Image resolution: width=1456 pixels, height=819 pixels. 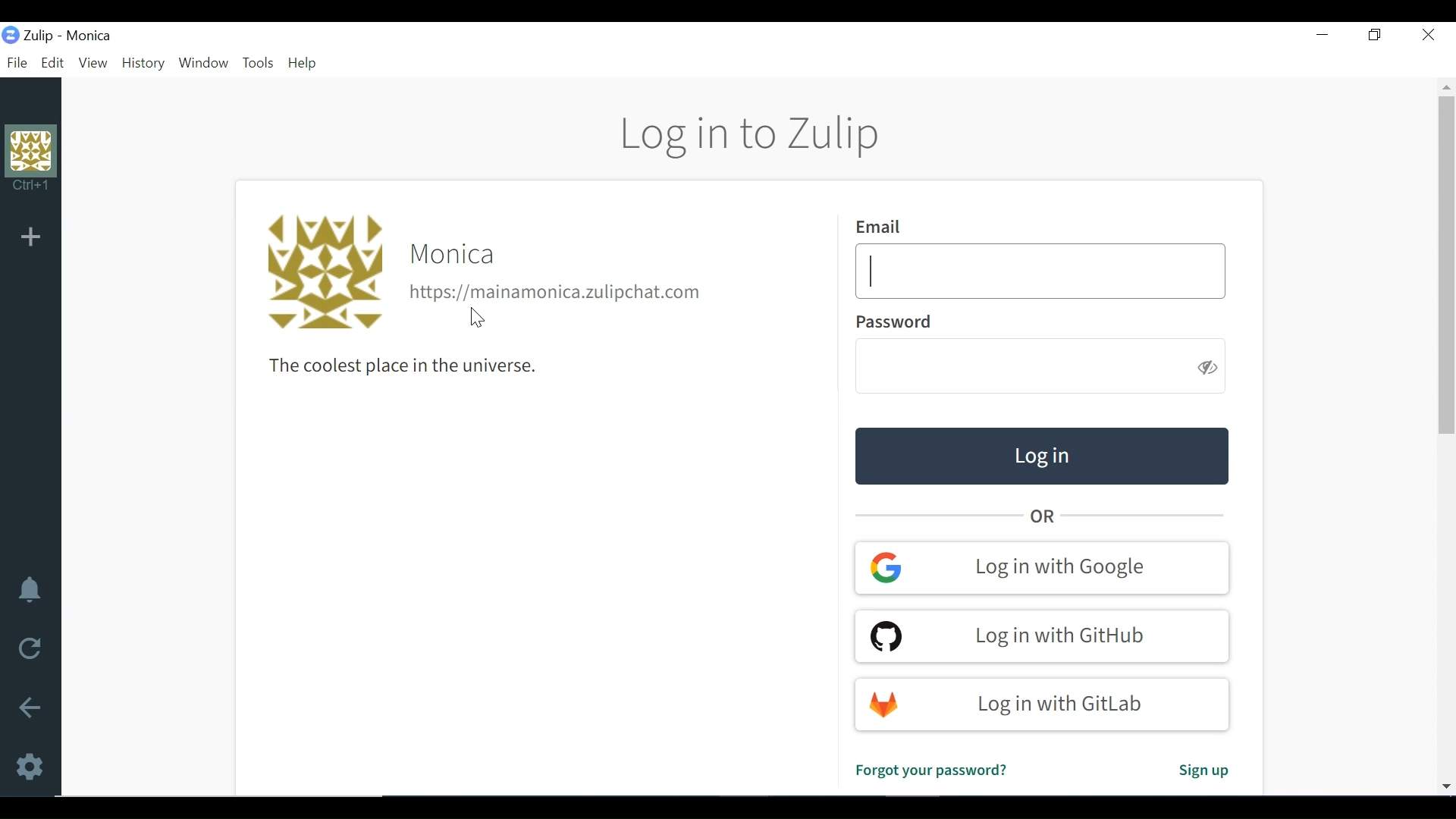 I want to click on Vertical Scroll bar , so click(x=1447, y=265).